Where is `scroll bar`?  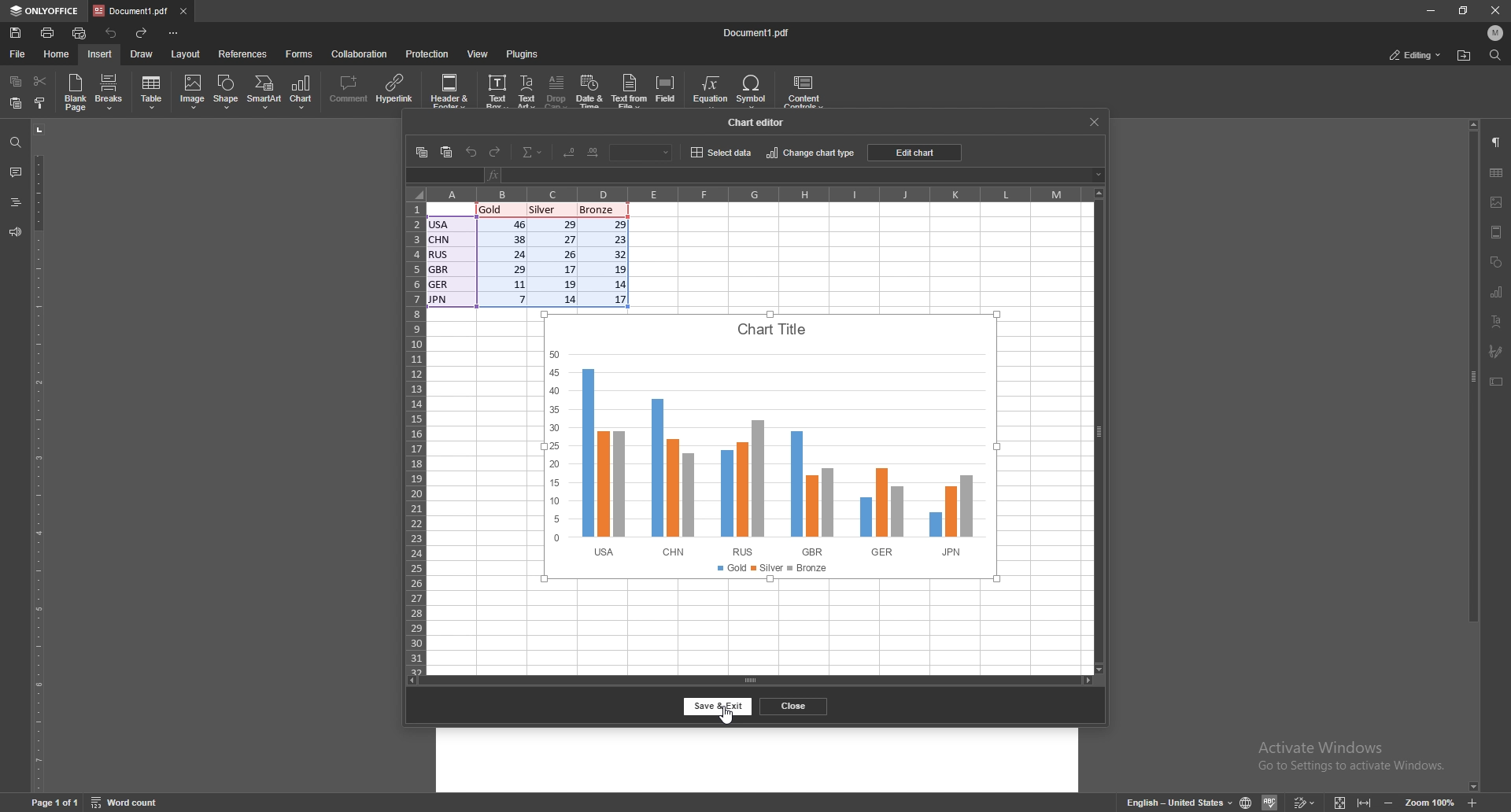
scroll bar is located at coordinates (1474, 457).